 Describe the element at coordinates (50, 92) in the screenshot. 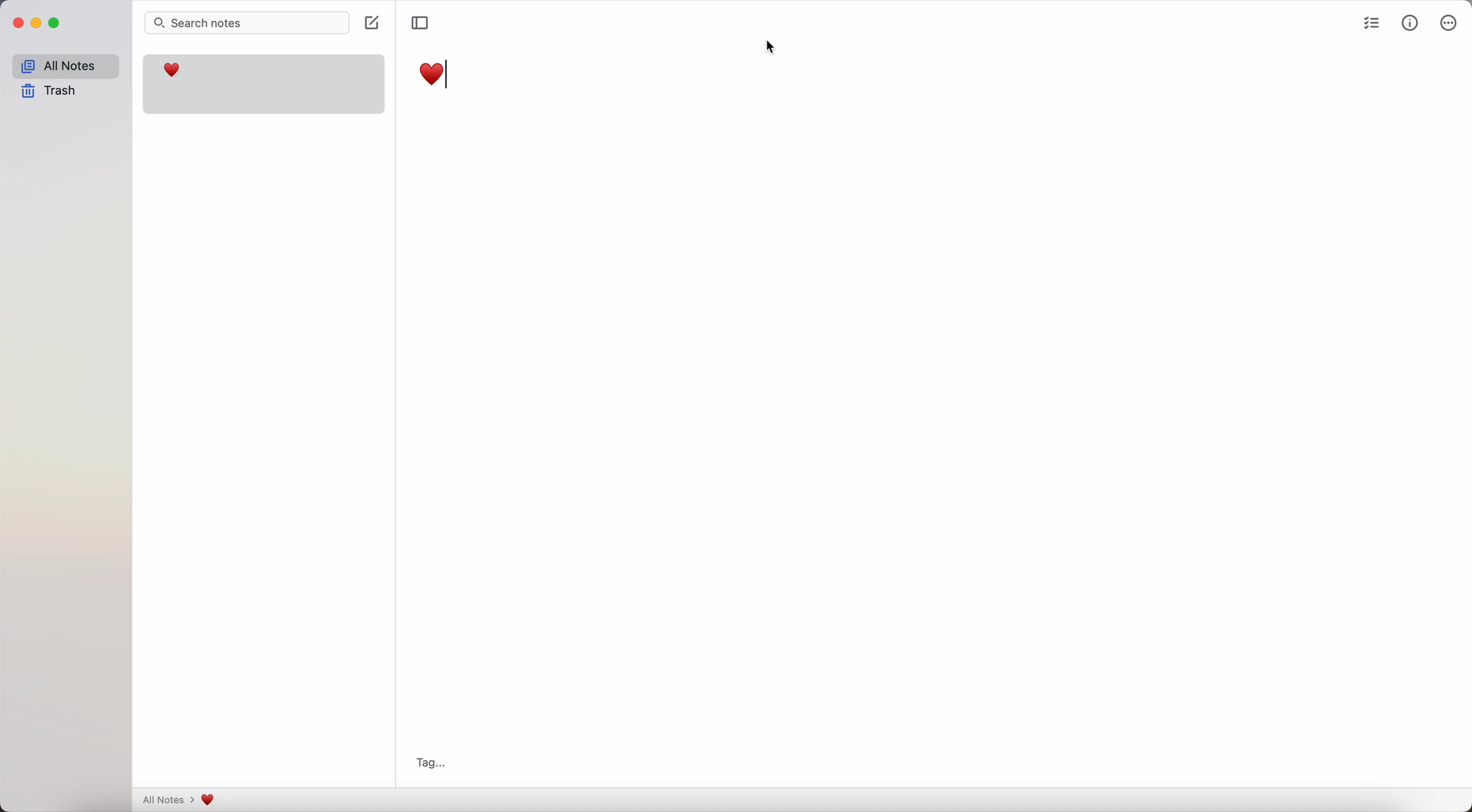

I see `trash` at that location.